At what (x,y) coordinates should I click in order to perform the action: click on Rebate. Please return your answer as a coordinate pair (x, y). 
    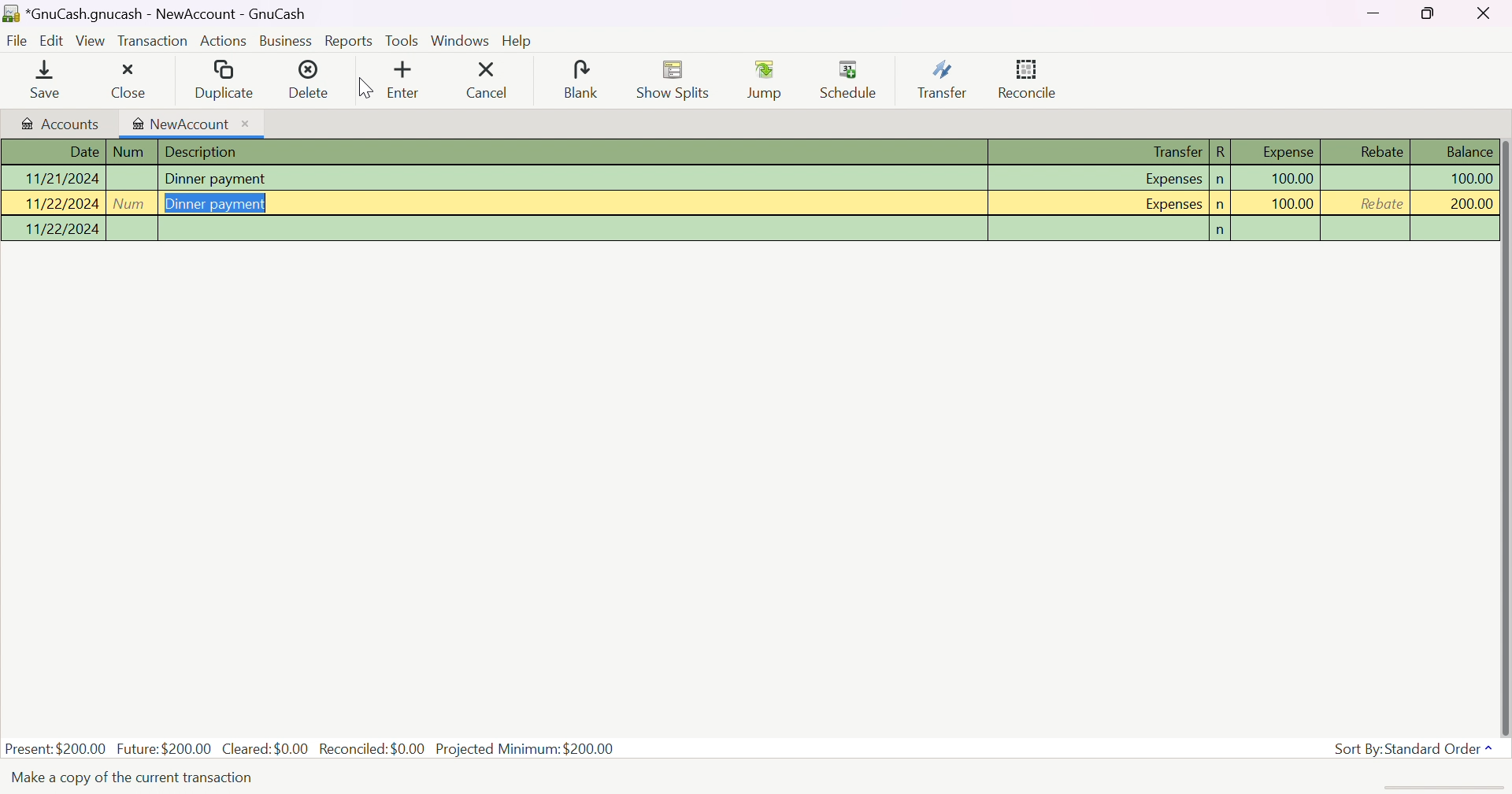
    Looking at the image, I should click on (1379, 204).